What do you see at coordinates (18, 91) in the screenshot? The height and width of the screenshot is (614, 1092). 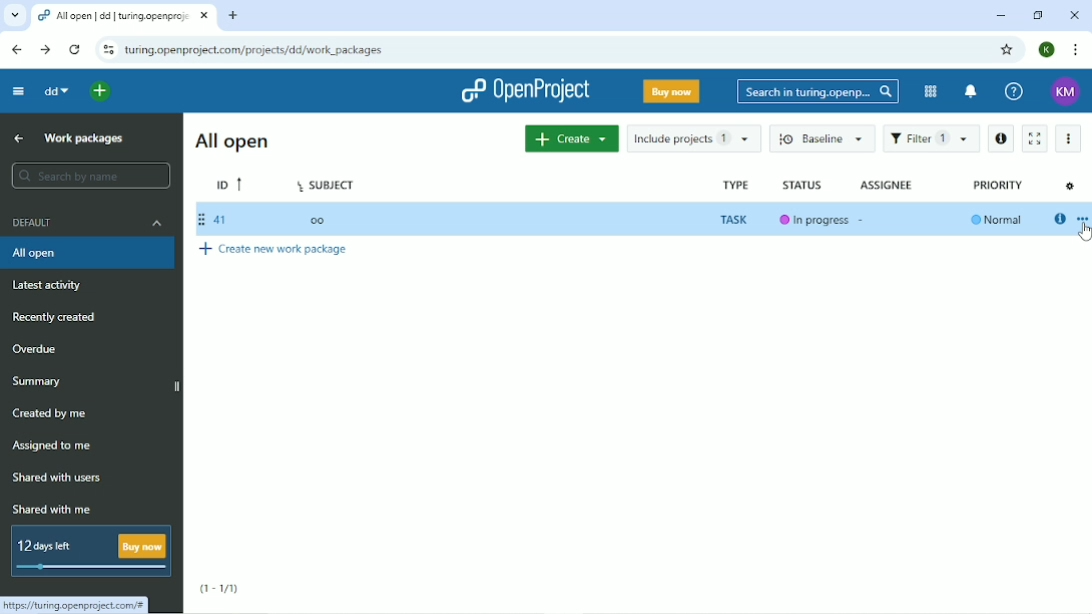 I see `Collapse project menu` at bounding box center [18, 91].